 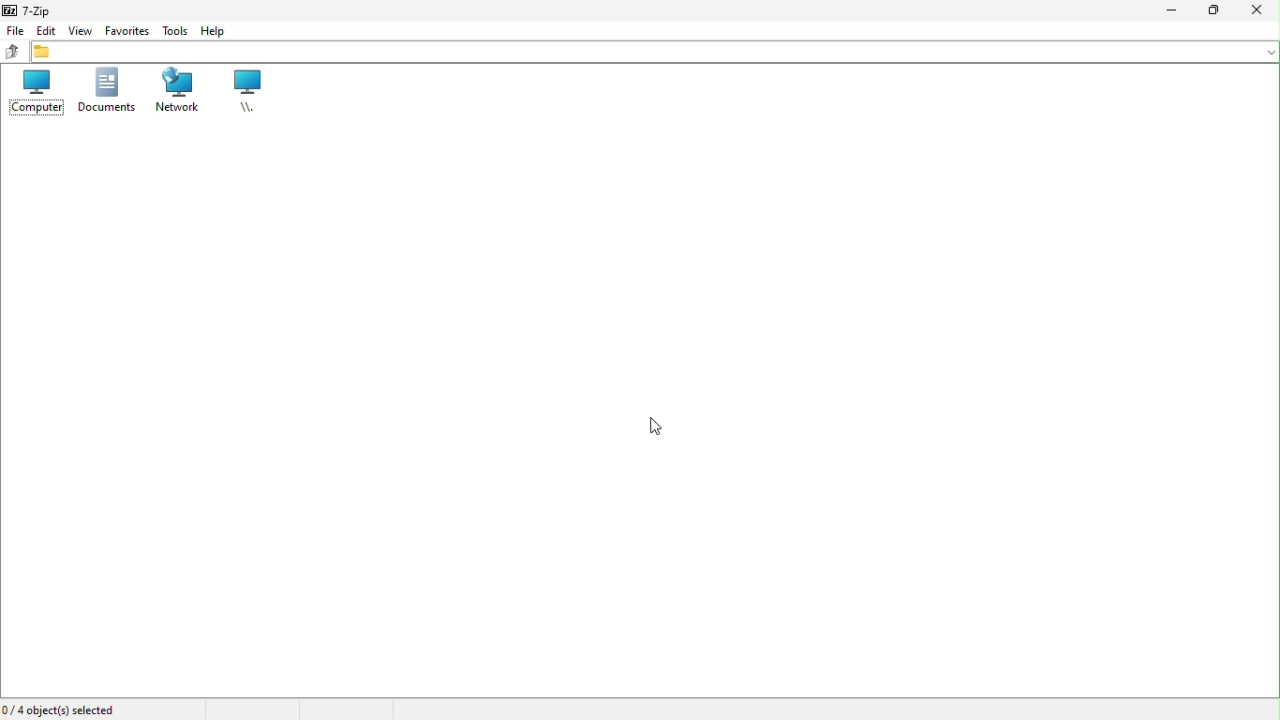 What do you see at coordinates (651, 424) in the screenshot?
I see `cursor` at bounding box center [651, 424].